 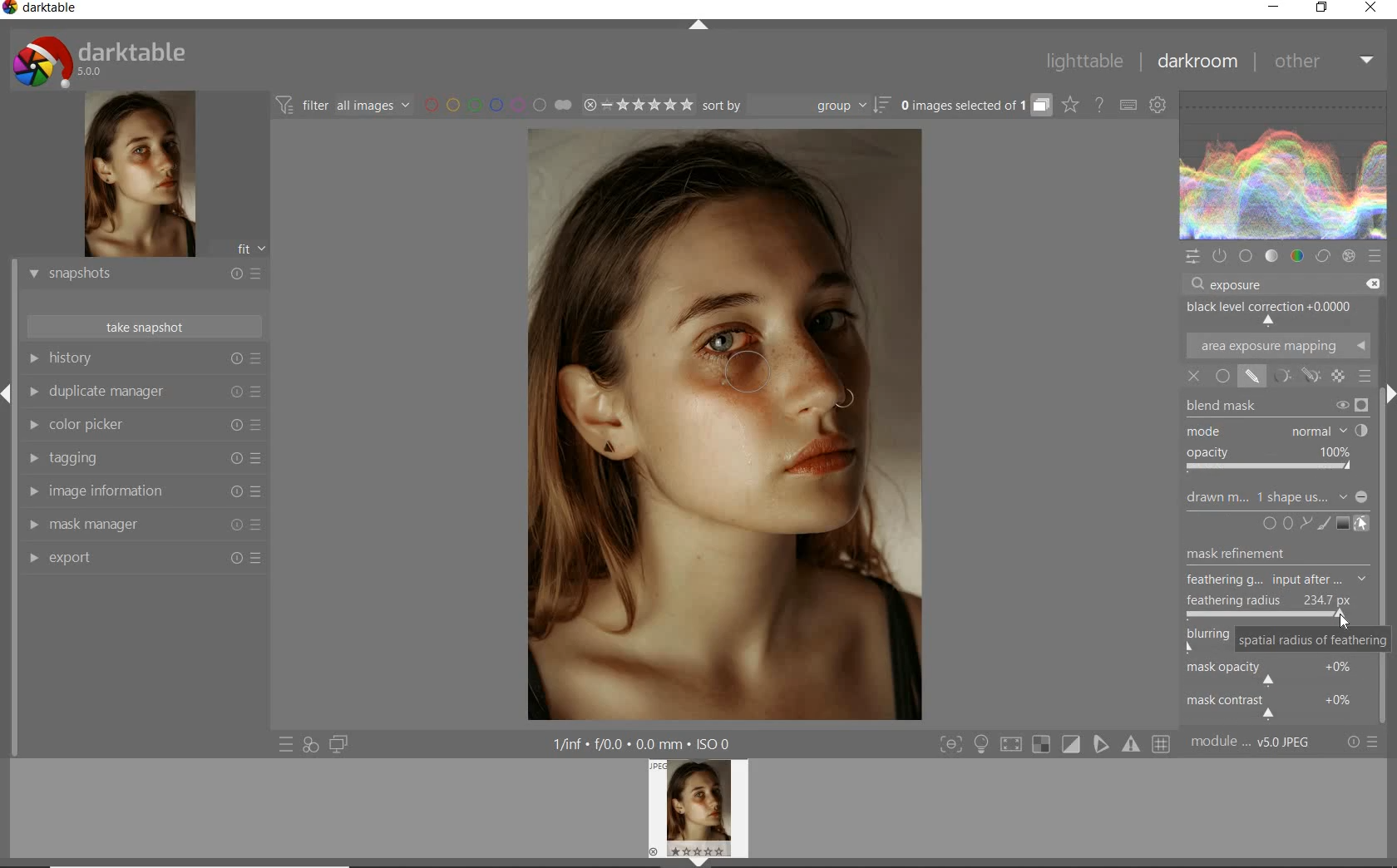 What do you see at coordinates (498, 106) in the screenshot?
I see `filter by image color` at bounding box center [498, 106].